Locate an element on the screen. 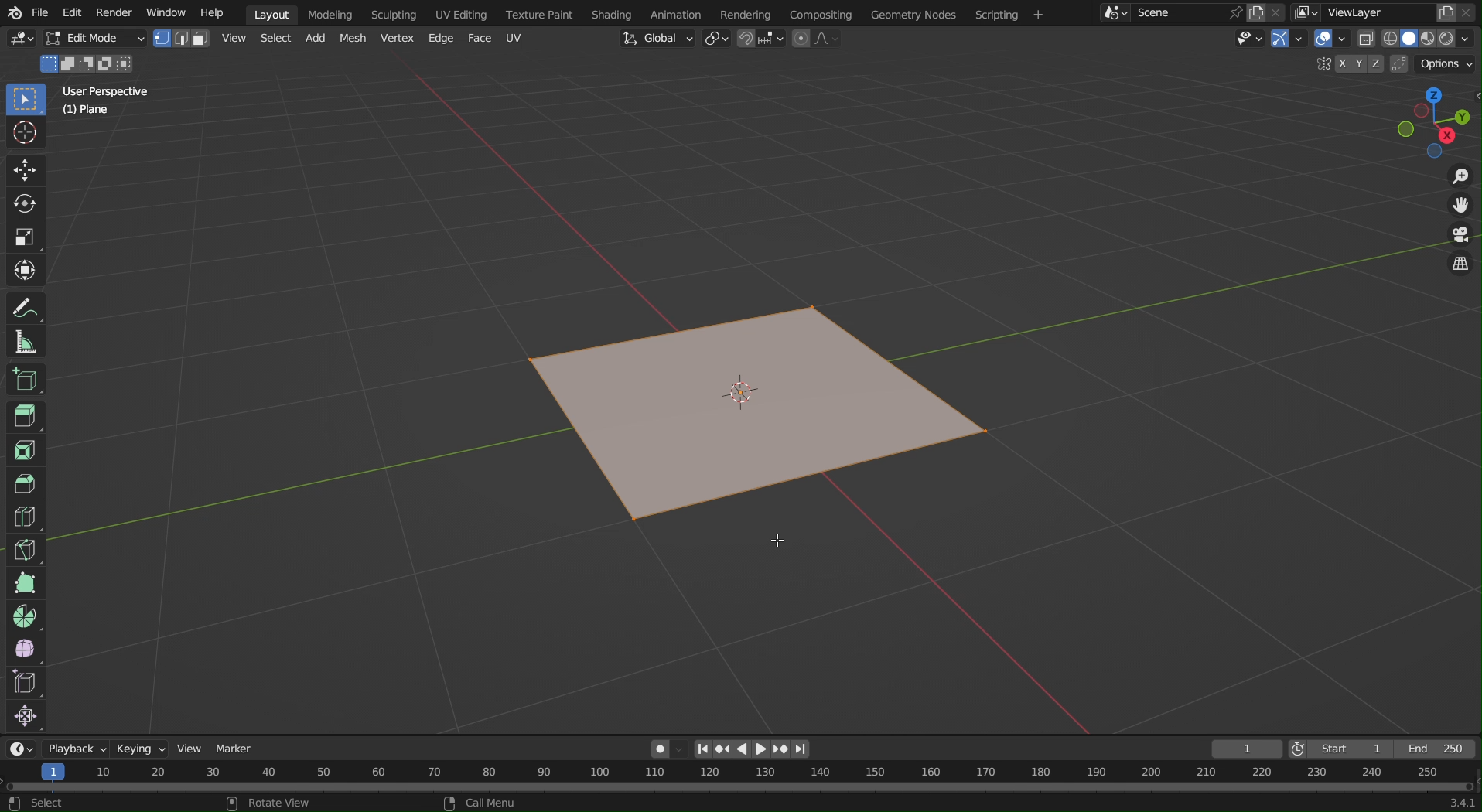 This screenshot has height=812, width=1482. Timeline is located at coordinates (742, 778).